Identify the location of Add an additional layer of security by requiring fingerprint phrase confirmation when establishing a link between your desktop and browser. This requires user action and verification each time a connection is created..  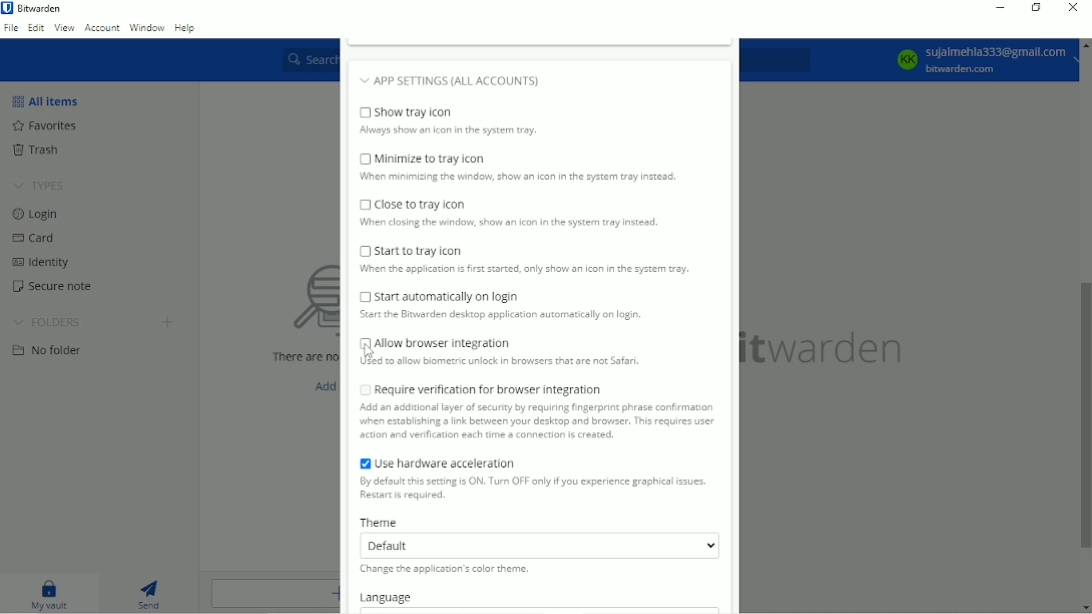
(539, 423).